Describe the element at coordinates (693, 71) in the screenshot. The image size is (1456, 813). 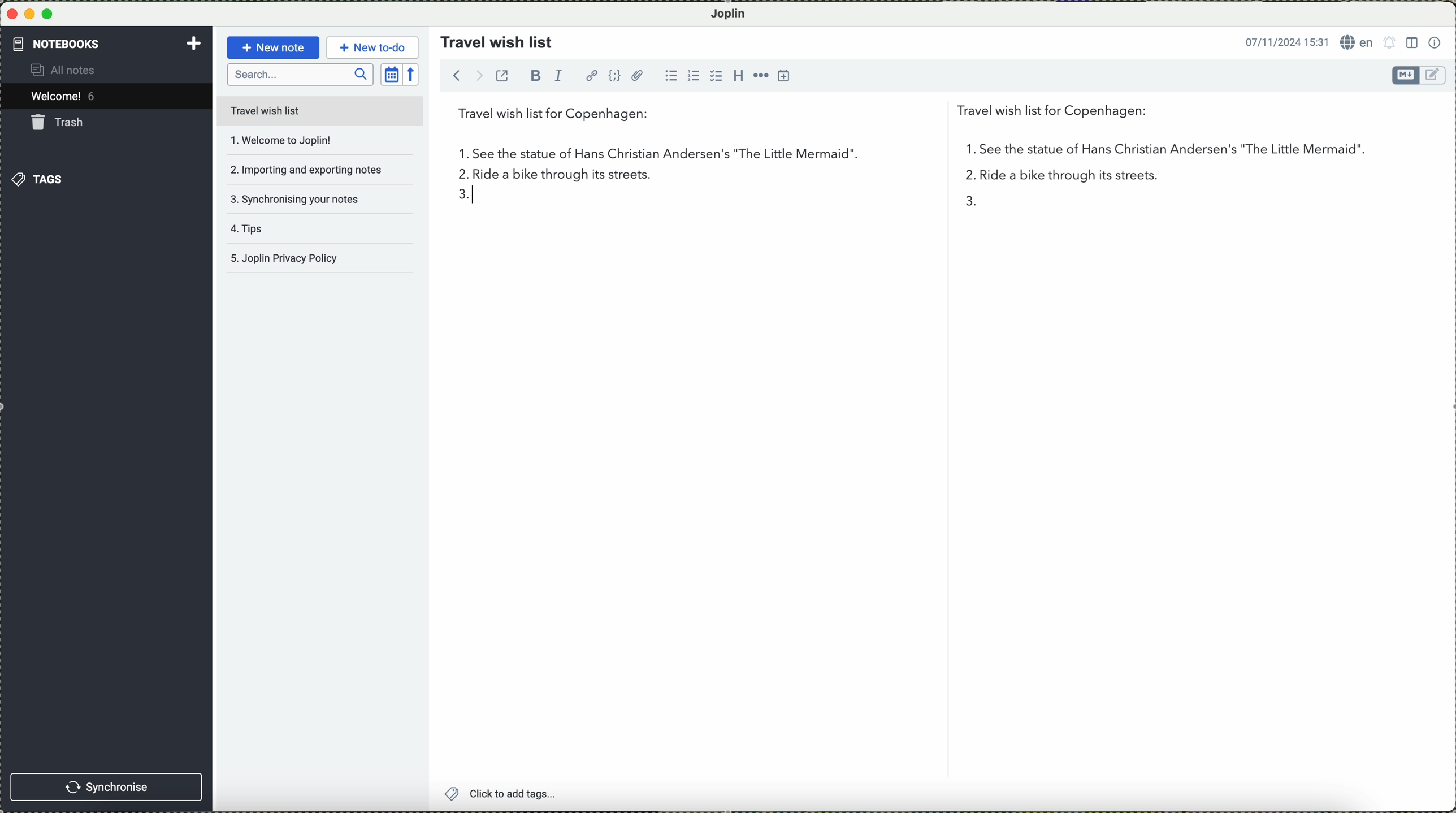
I see `numbered list` at that location.